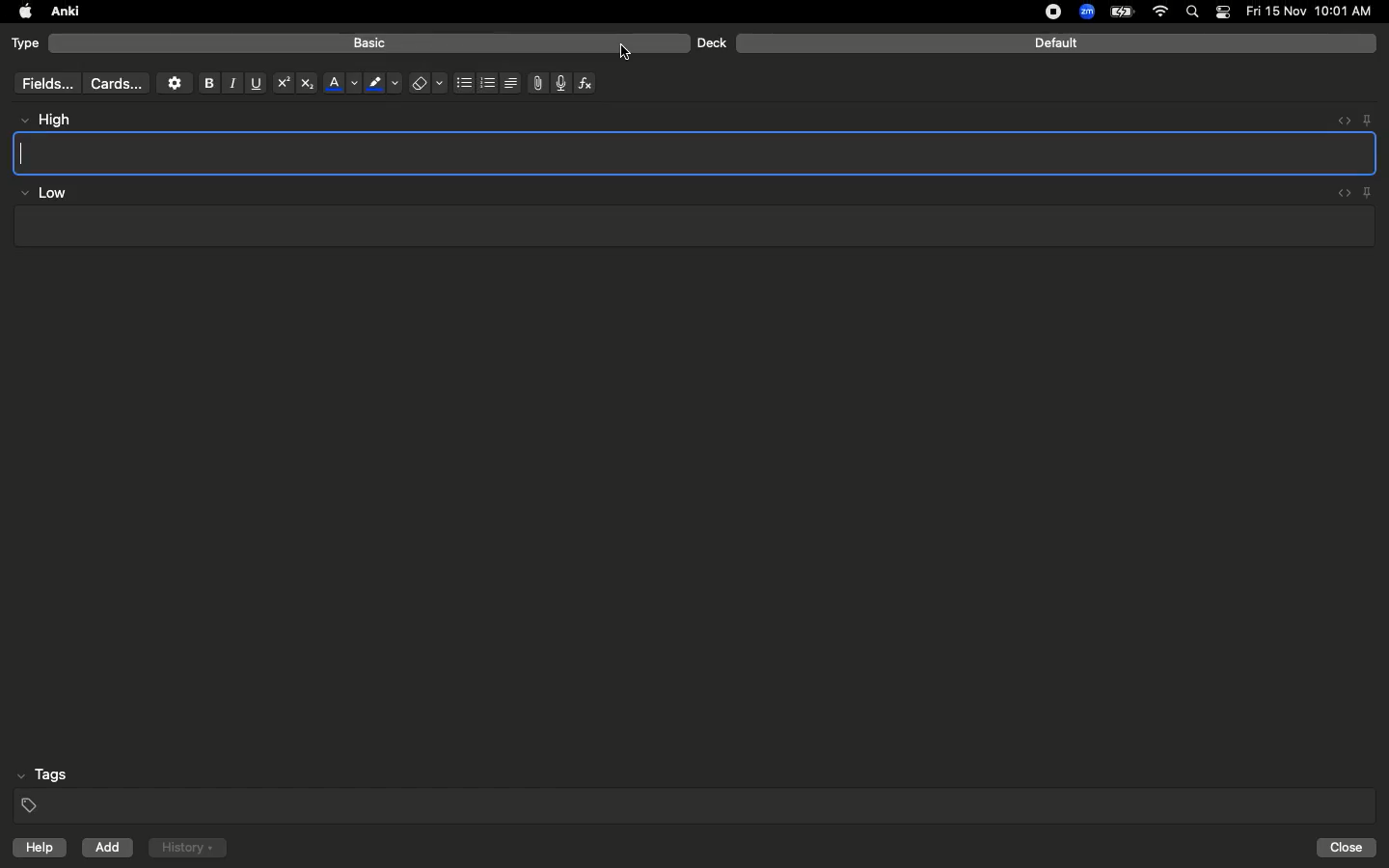 This screenshot has width=1389, height=868. Describe the element at coordinates (20, 12) in the screenshot. I see `apple logo` at that location.